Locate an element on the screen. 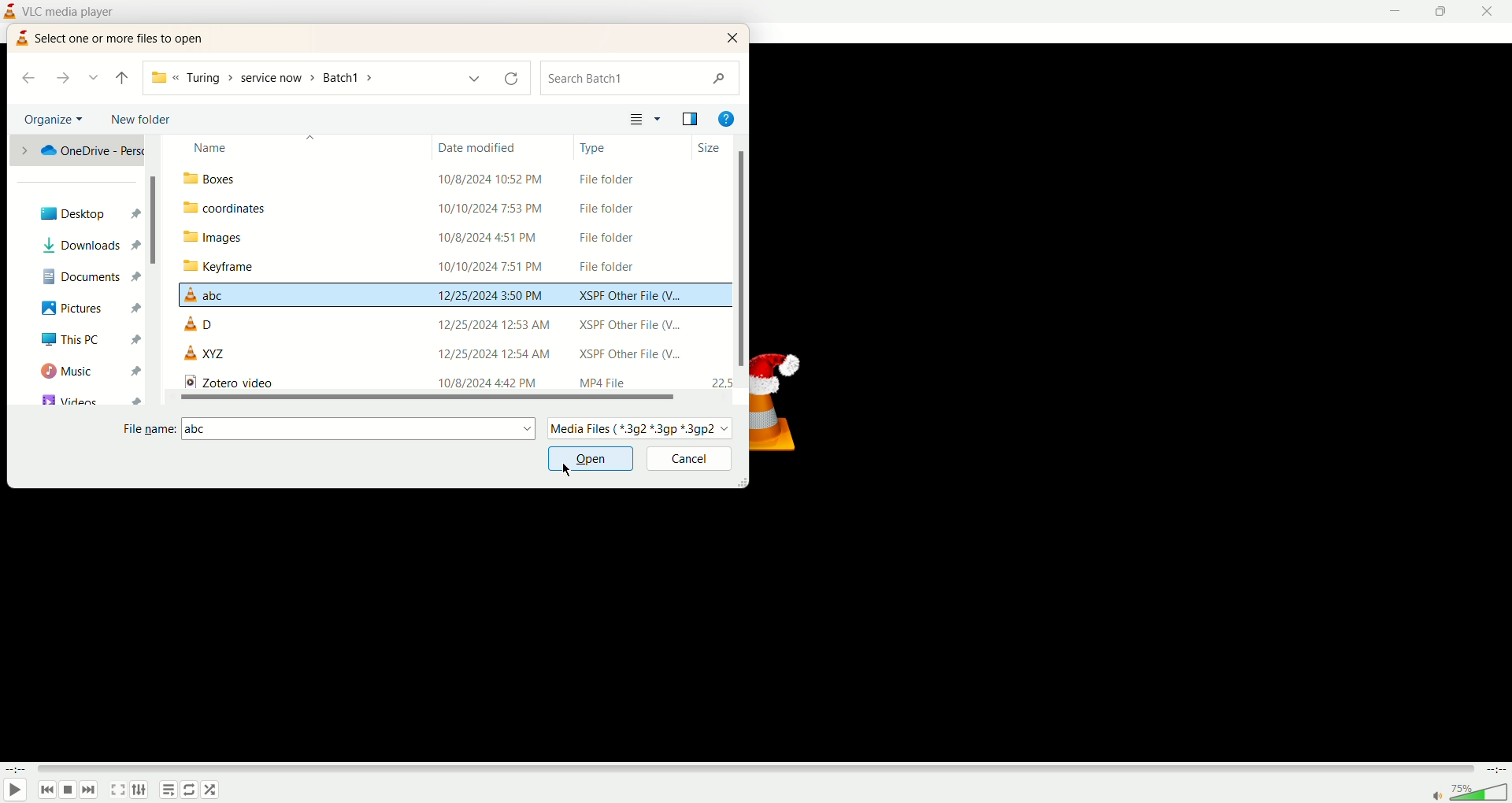 The width and height of the screenshot is (1512, 803). close is located at coordinates (1492, 12).